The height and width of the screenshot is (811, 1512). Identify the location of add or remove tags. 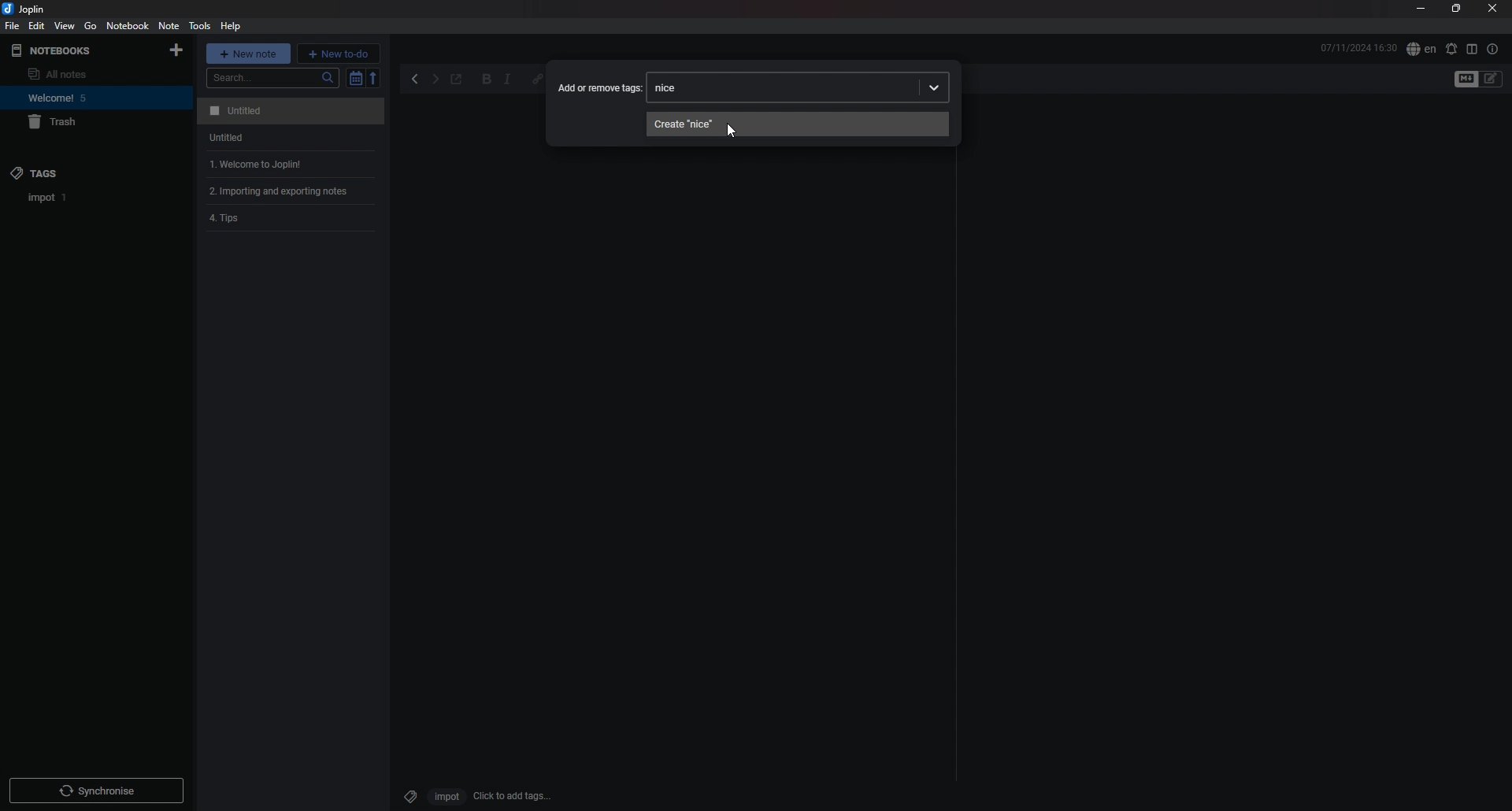
(600, 87).